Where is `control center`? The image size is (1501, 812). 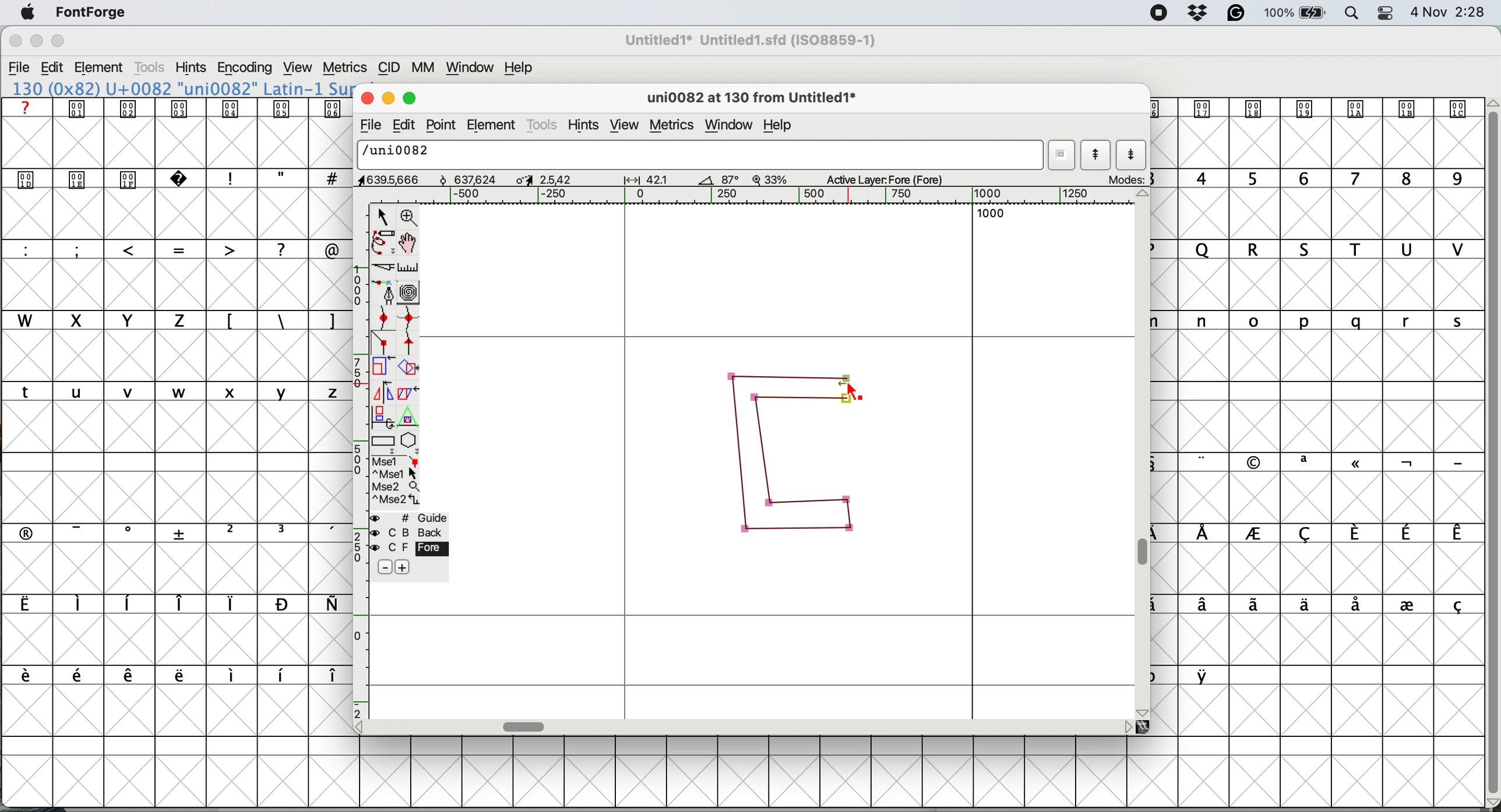 control center is located at coordinates (1384, 13).